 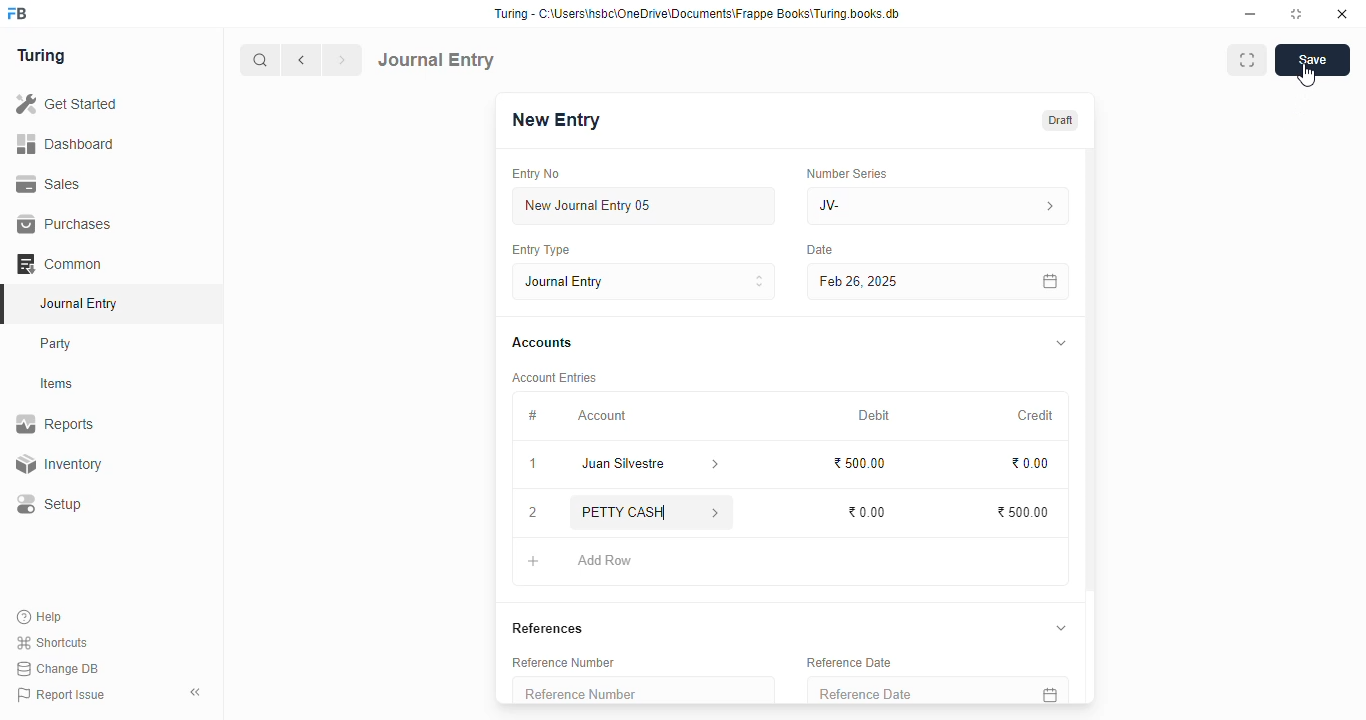 What do you see at coordinates (61, 264) in the screenshot?
I see `common` at bounding box center [61, 264].